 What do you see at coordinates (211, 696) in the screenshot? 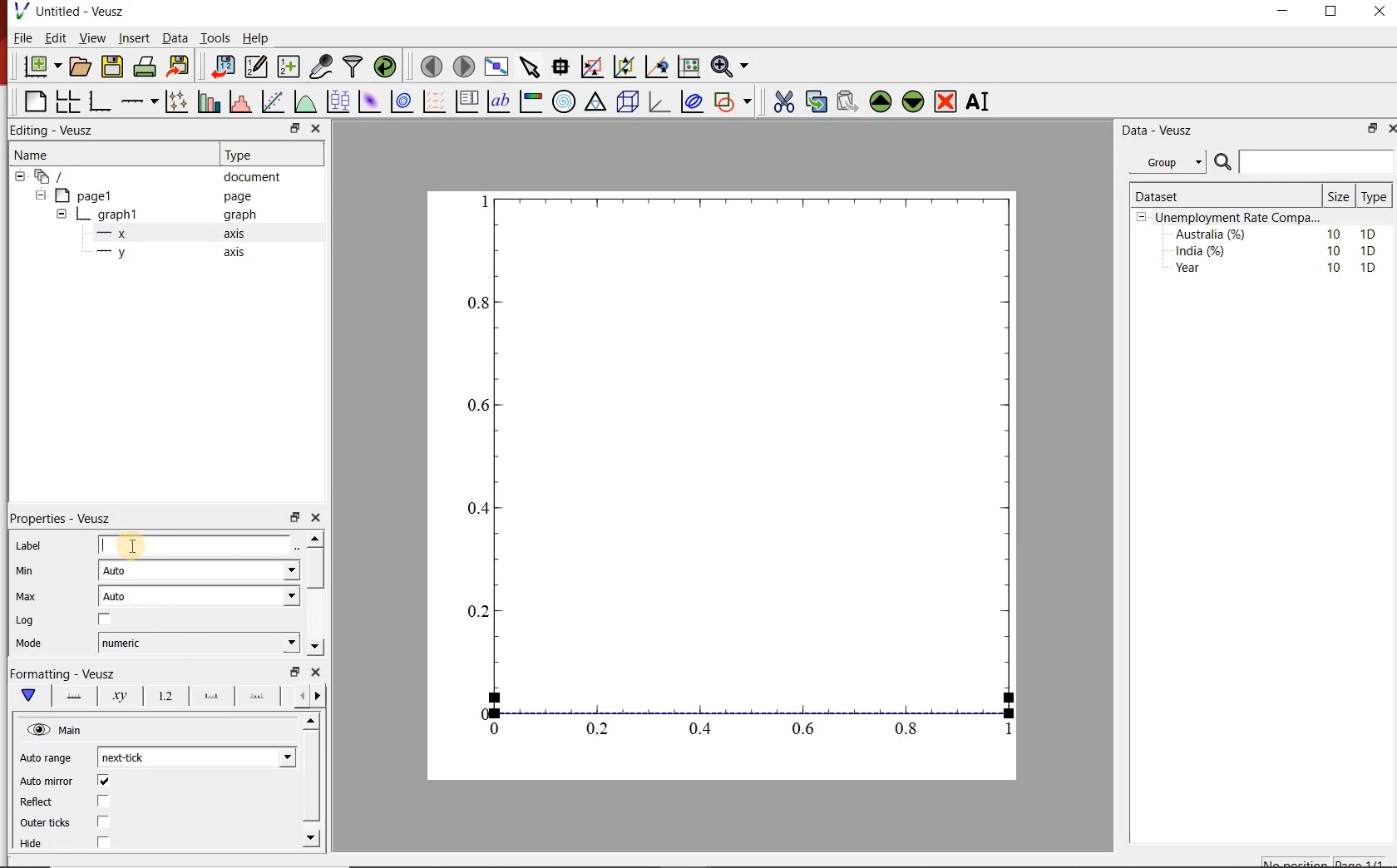
I see `major tick` at bounding box center [211, 696].